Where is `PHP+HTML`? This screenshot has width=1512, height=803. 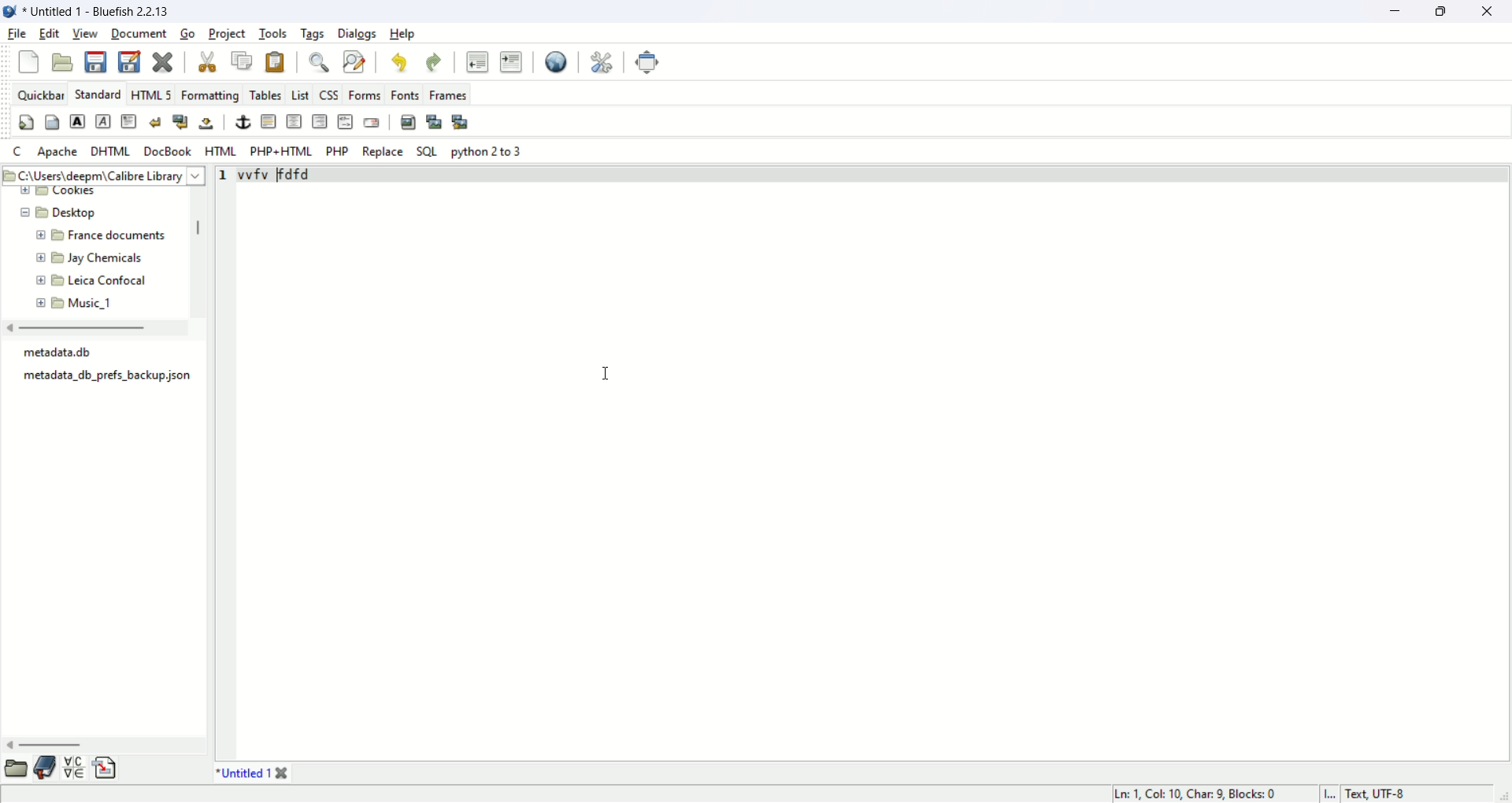
PHP+HTML is located at coordinates (280, 152).